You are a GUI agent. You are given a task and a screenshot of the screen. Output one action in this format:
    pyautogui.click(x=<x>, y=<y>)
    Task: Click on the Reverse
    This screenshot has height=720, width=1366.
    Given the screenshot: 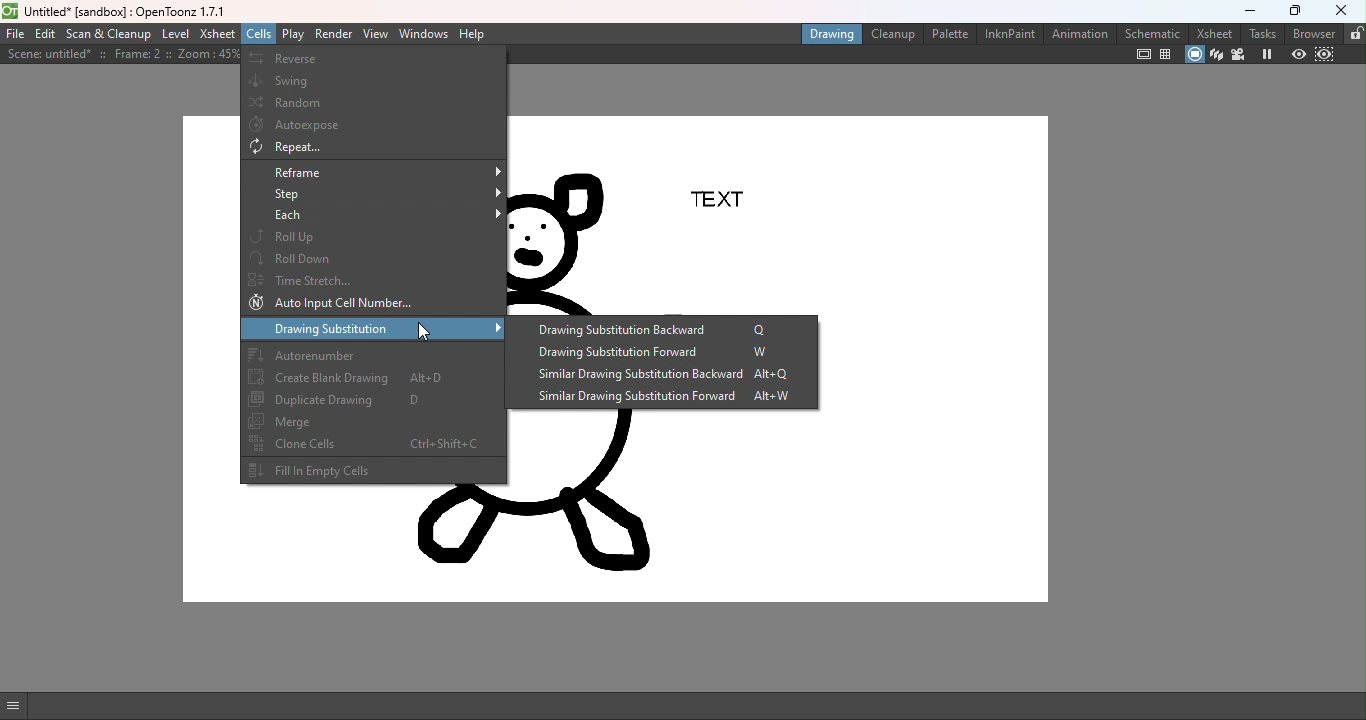 What is the action you would take?
    pyautogui.click(x=373, y=59)
    